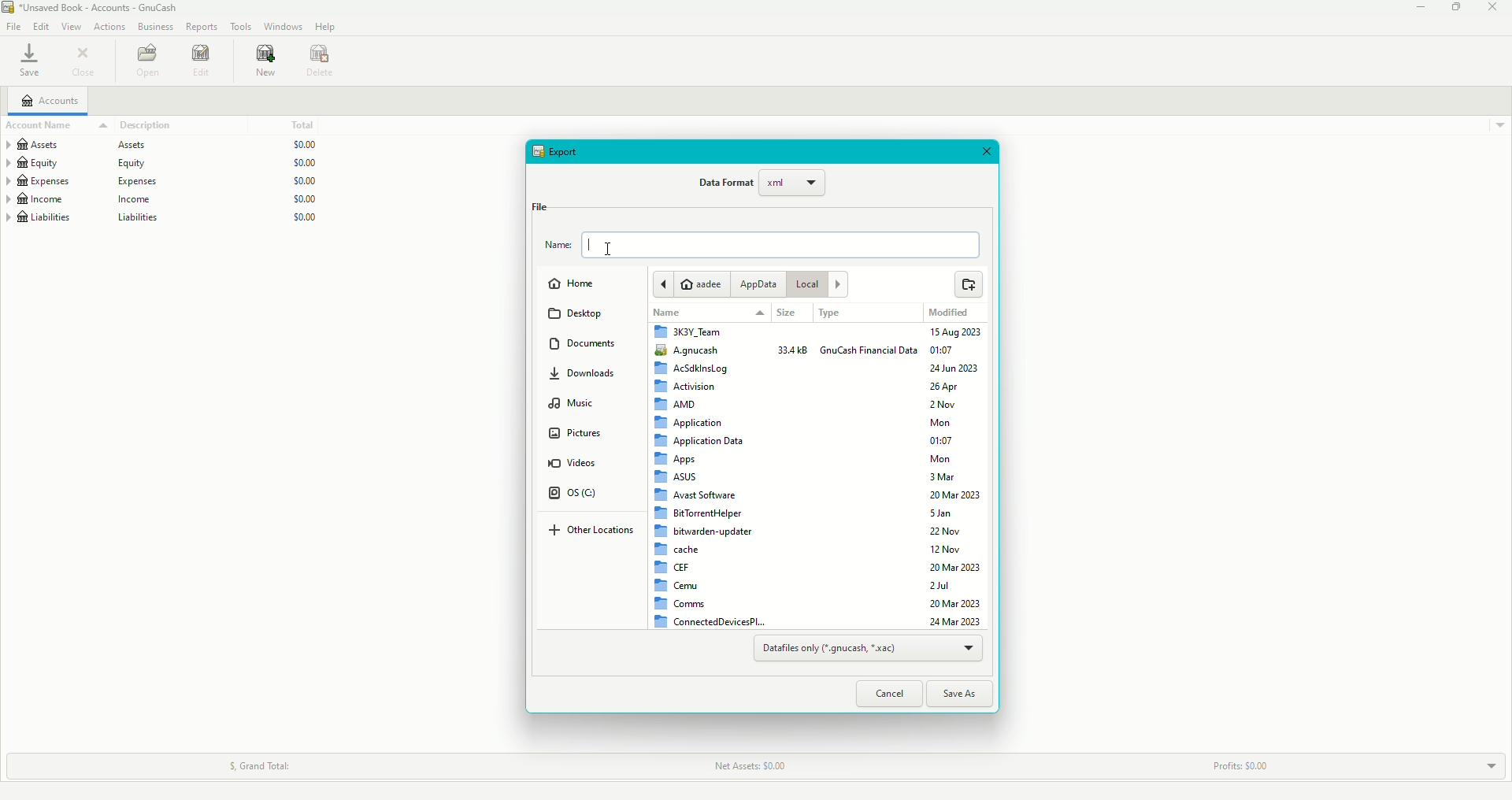  I want to click on Profits, so click(1237, 761).